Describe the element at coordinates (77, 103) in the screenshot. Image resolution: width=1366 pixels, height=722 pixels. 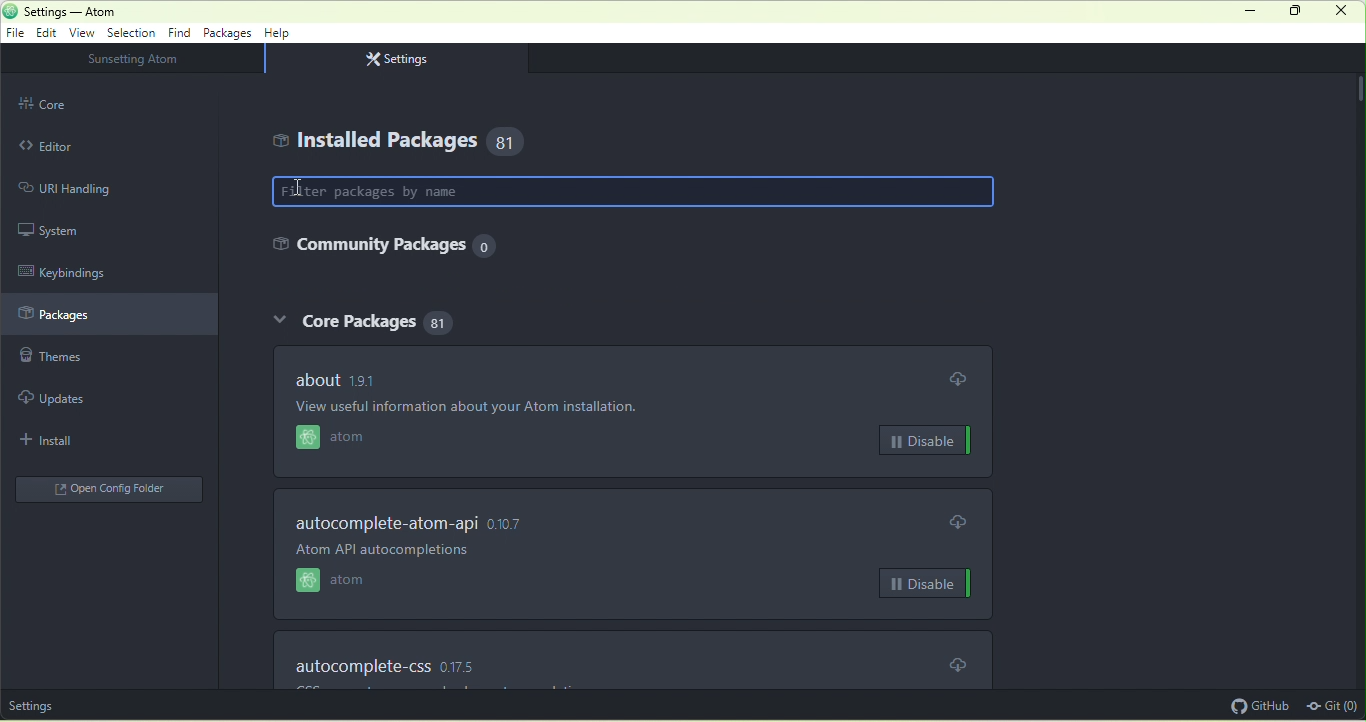
I see `core` at that location.